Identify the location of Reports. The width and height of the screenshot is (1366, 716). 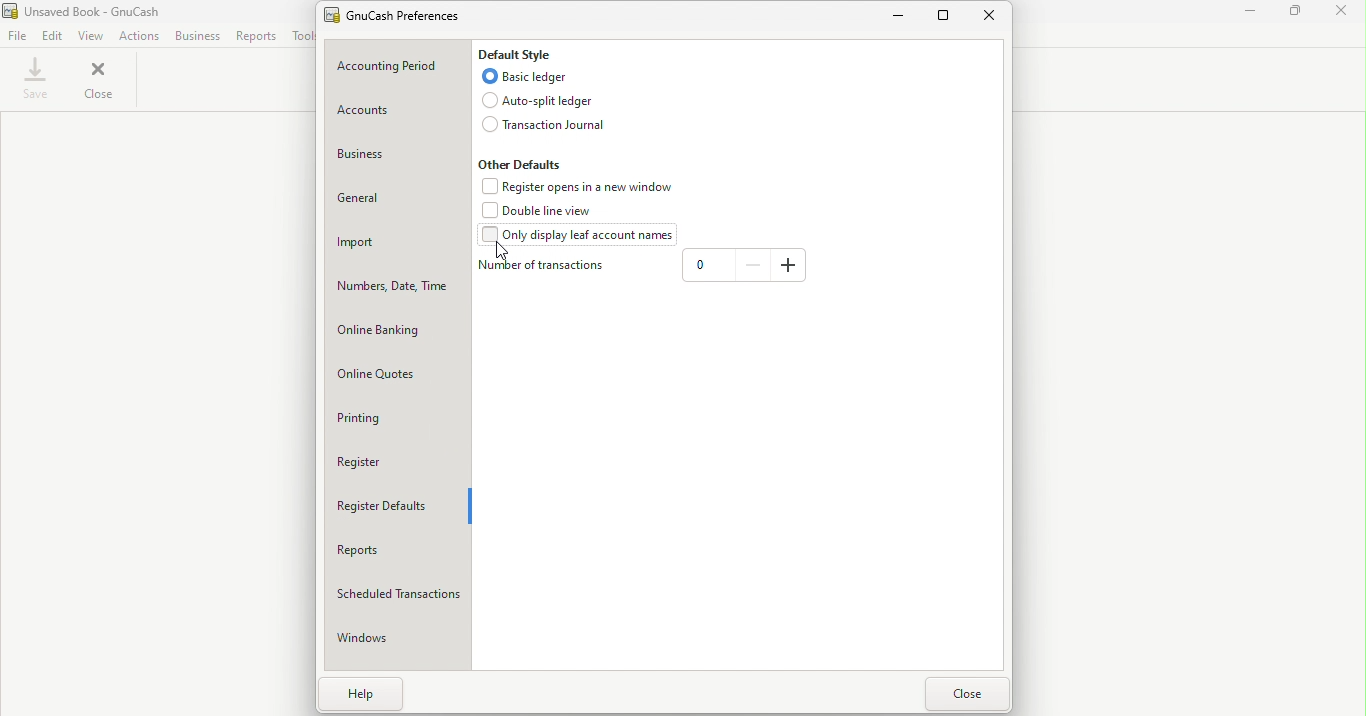
(257, 35).